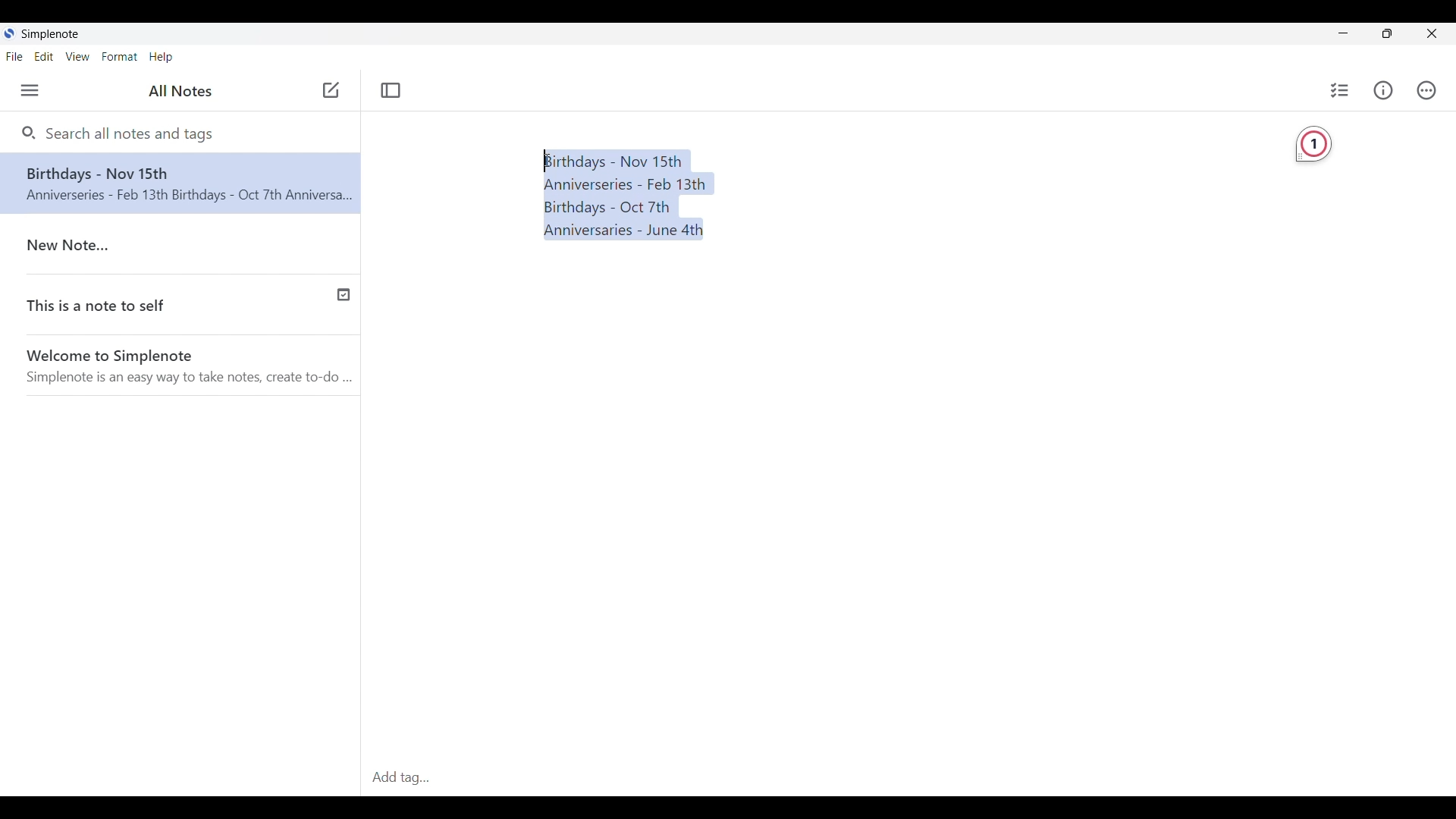 The image size is (1456, 819). What do you see at coordinates (48, 33) in the screenshot?
I see `Simplenote logo and name` at bounding box center [48, 33].